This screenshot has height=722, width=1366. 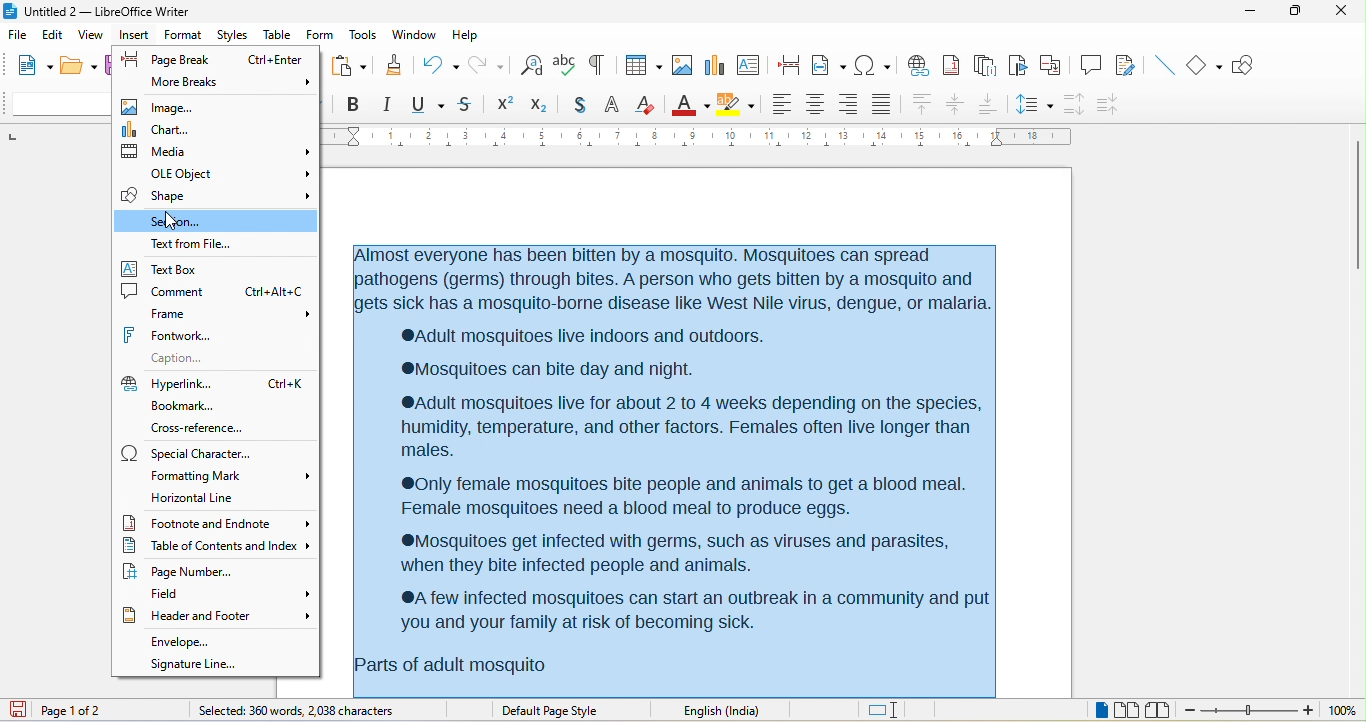 I want to click on window, so click(x=414, y=34).